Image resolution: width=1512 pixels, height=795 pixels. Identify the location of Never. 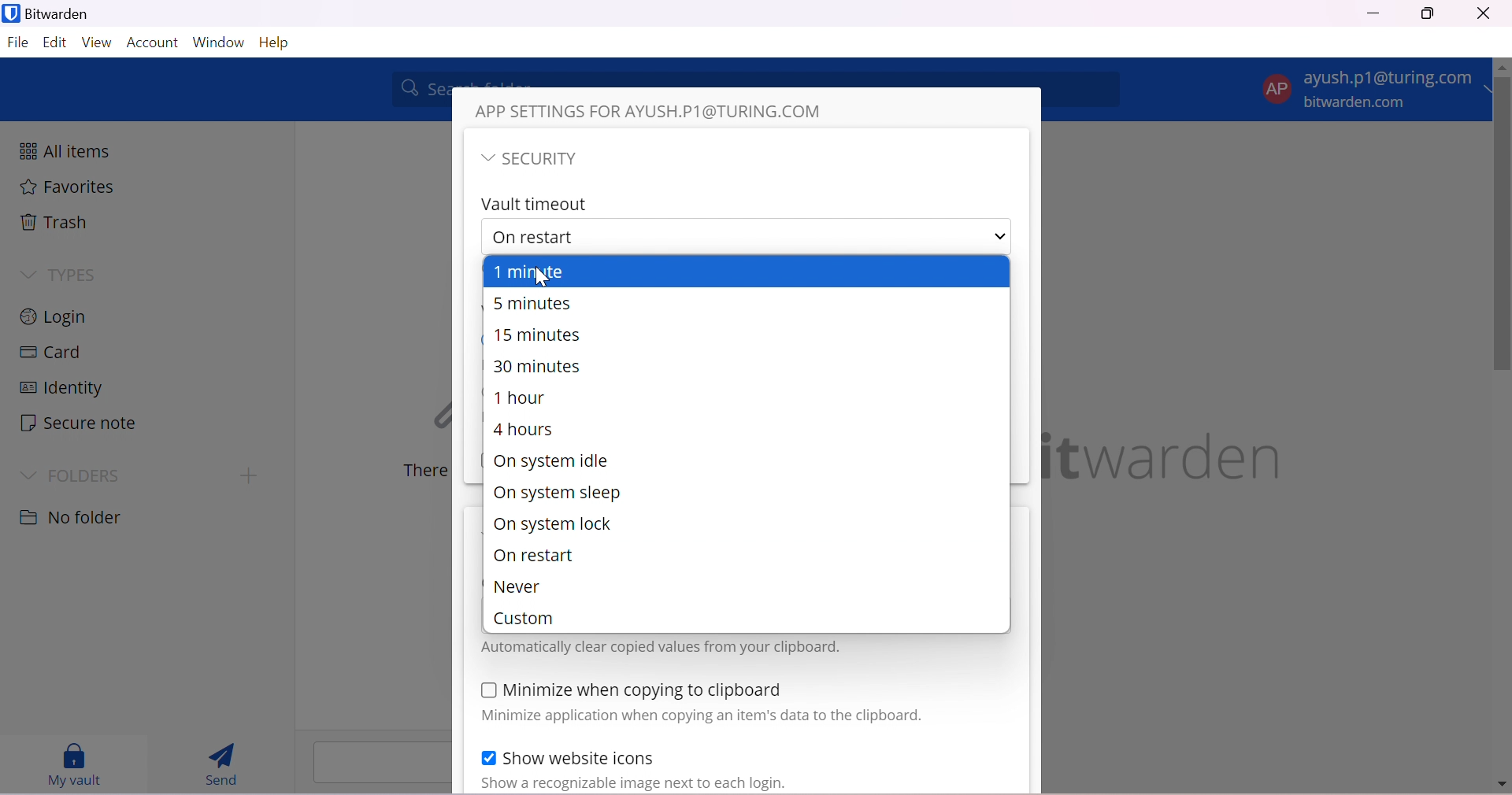
(521, 588).